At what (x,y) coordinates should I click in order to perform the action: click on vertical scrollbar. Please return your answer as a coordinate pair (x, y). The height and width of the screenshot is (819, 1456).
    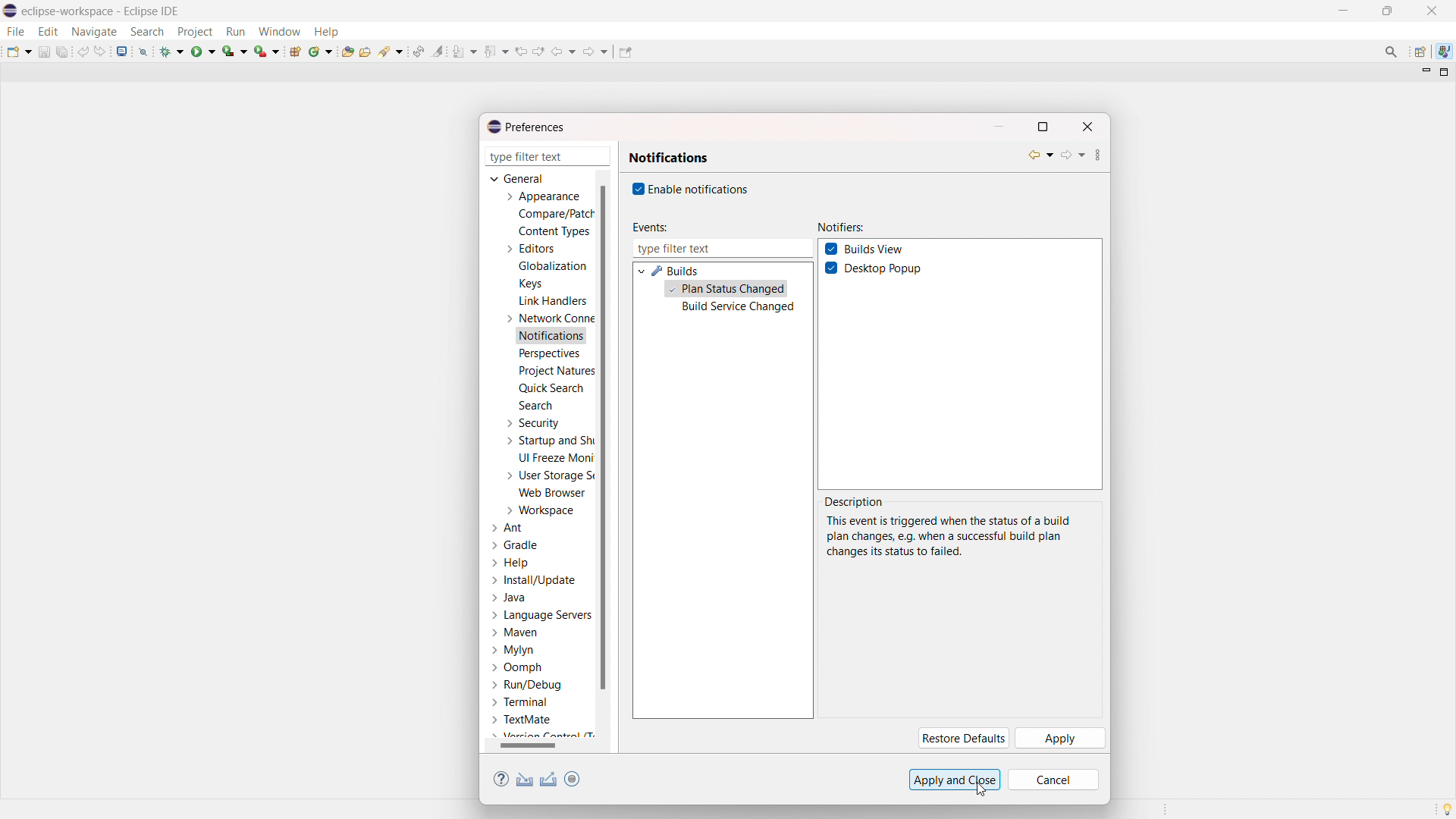
    Looking at the image, I should click on (602, 436).